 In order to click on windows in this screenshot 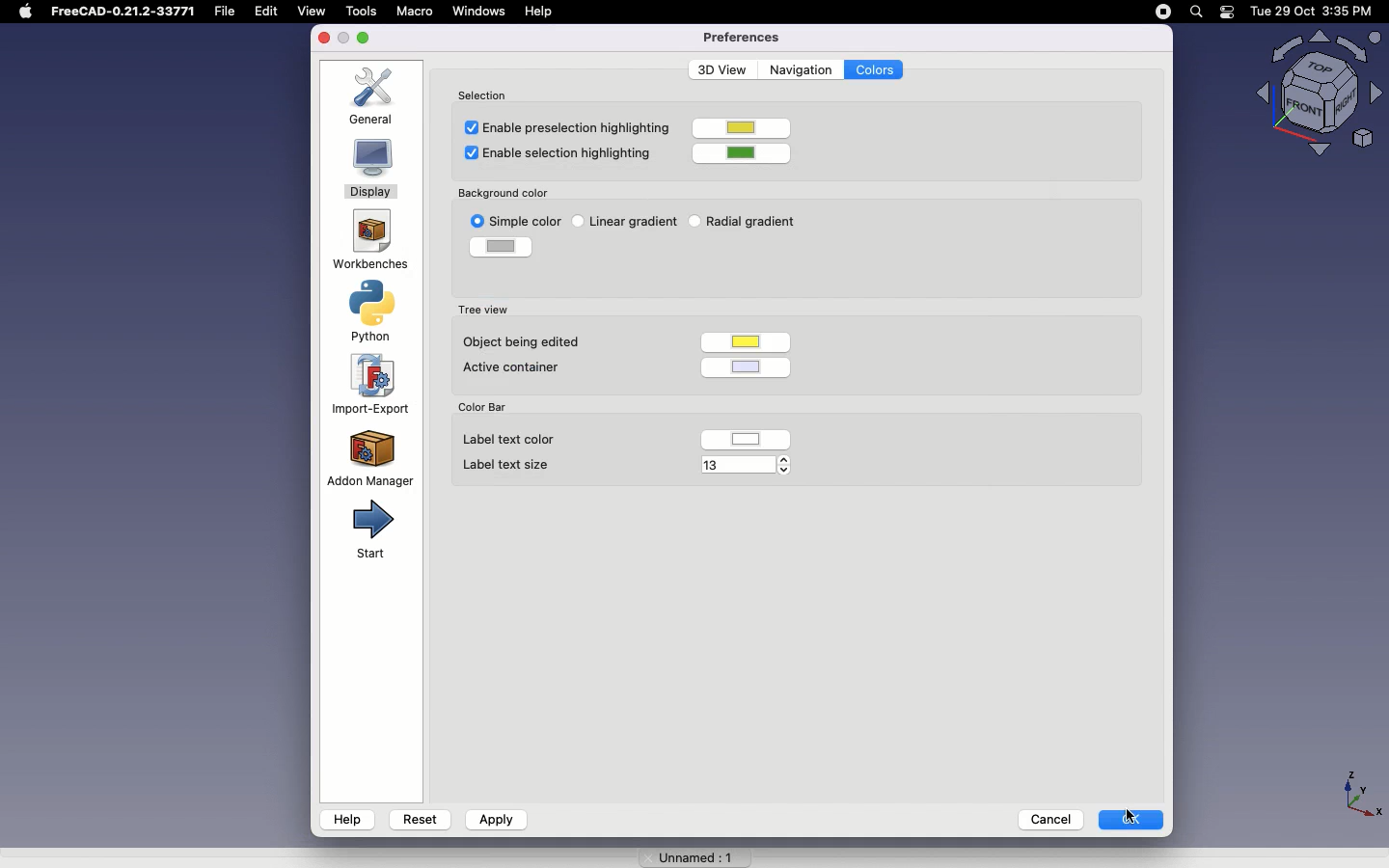, I will do `click(479, 12)`.